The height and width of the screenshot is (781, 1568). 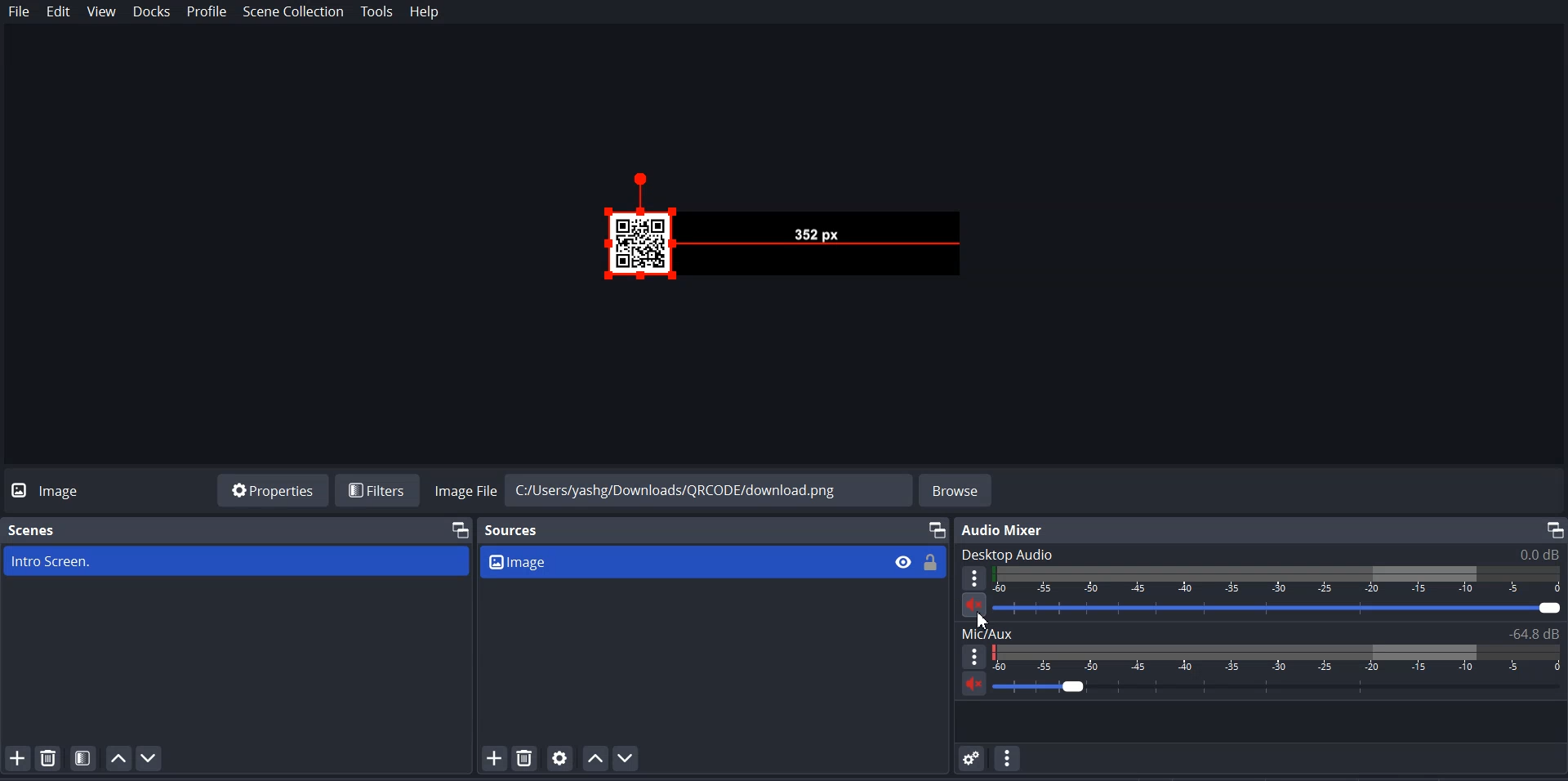 What do you see at coordinates (1007, 758) in the screenshot?
I see `Audio Mixer Menu` at bounding box center [1007, 758].